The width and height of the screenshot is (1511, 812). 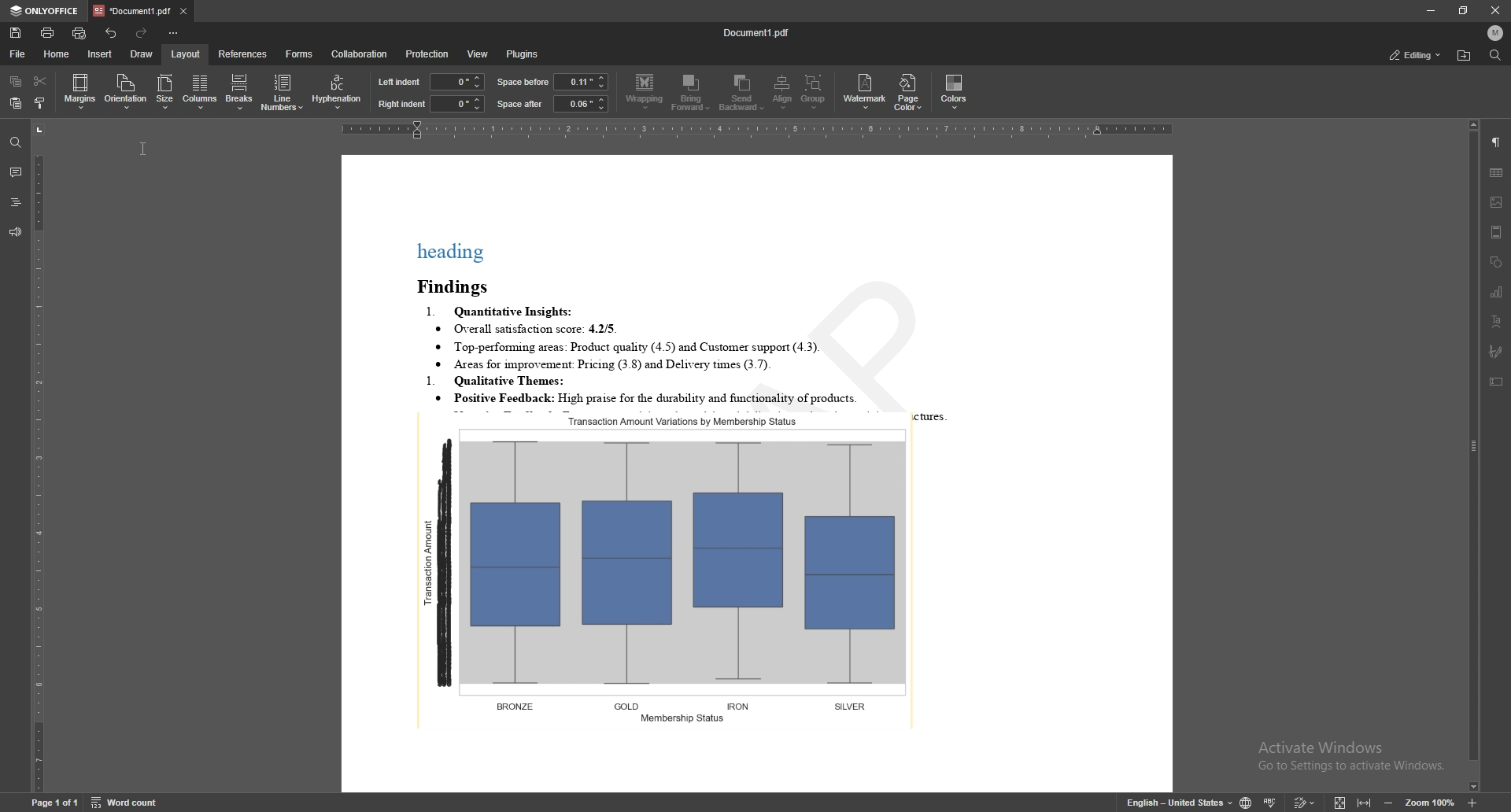 What do you see at coordinates (42, 80) in the screenshot?
I see `cut` at bounding box center [42, 80].